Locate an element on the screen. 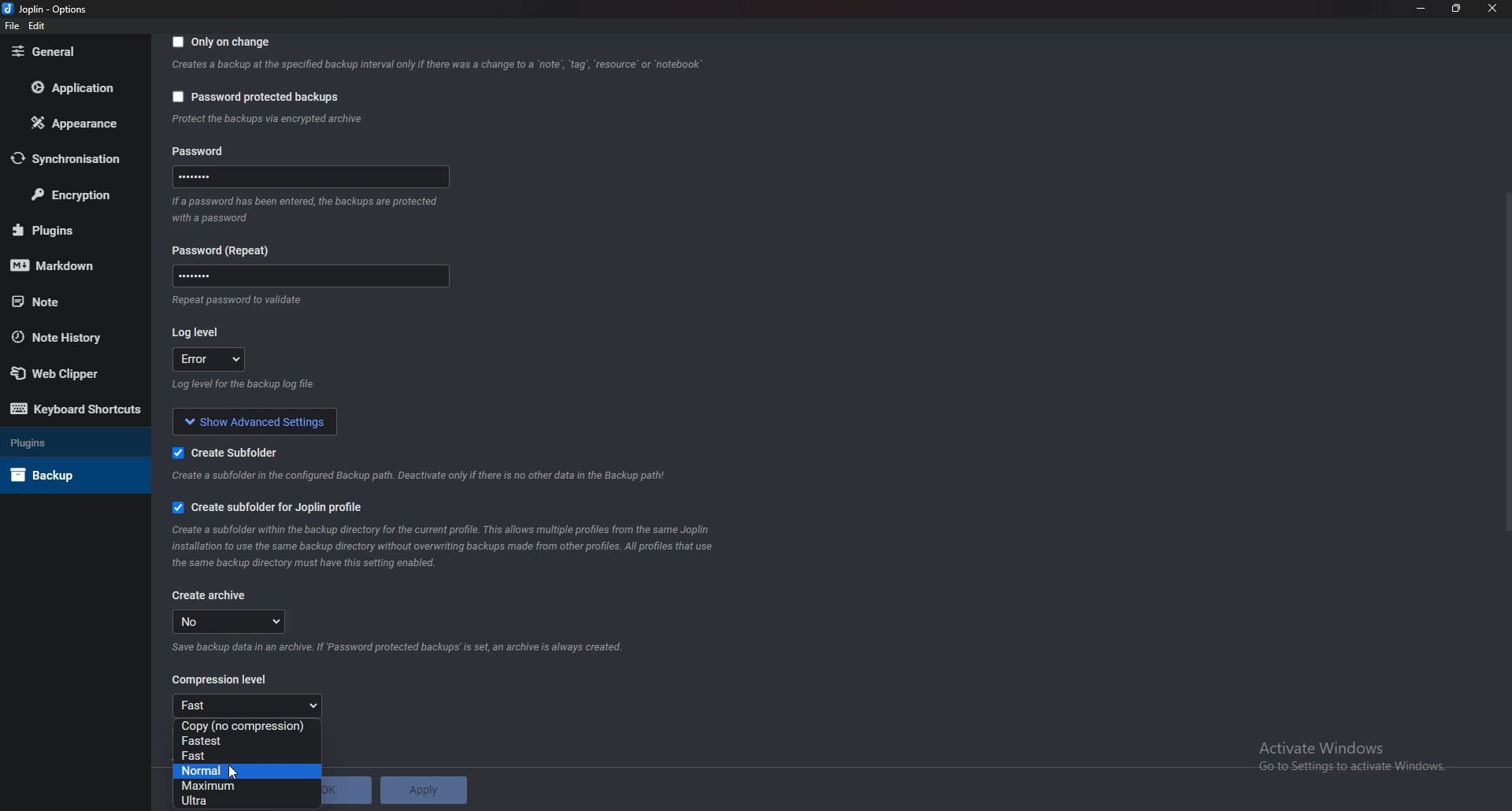 This screenshot has height=811, width=1512. create archive is located at coordinates (210, 595).